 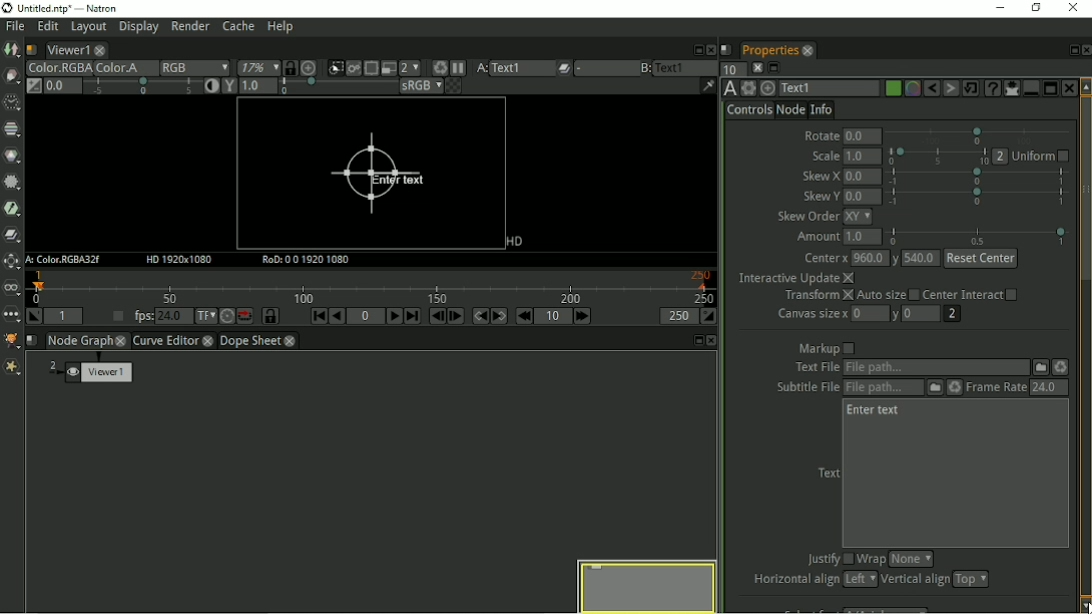 What do you see at coordinates (686, 67) in the screenshot?
I see `text1` at bounding box center [686, 67].